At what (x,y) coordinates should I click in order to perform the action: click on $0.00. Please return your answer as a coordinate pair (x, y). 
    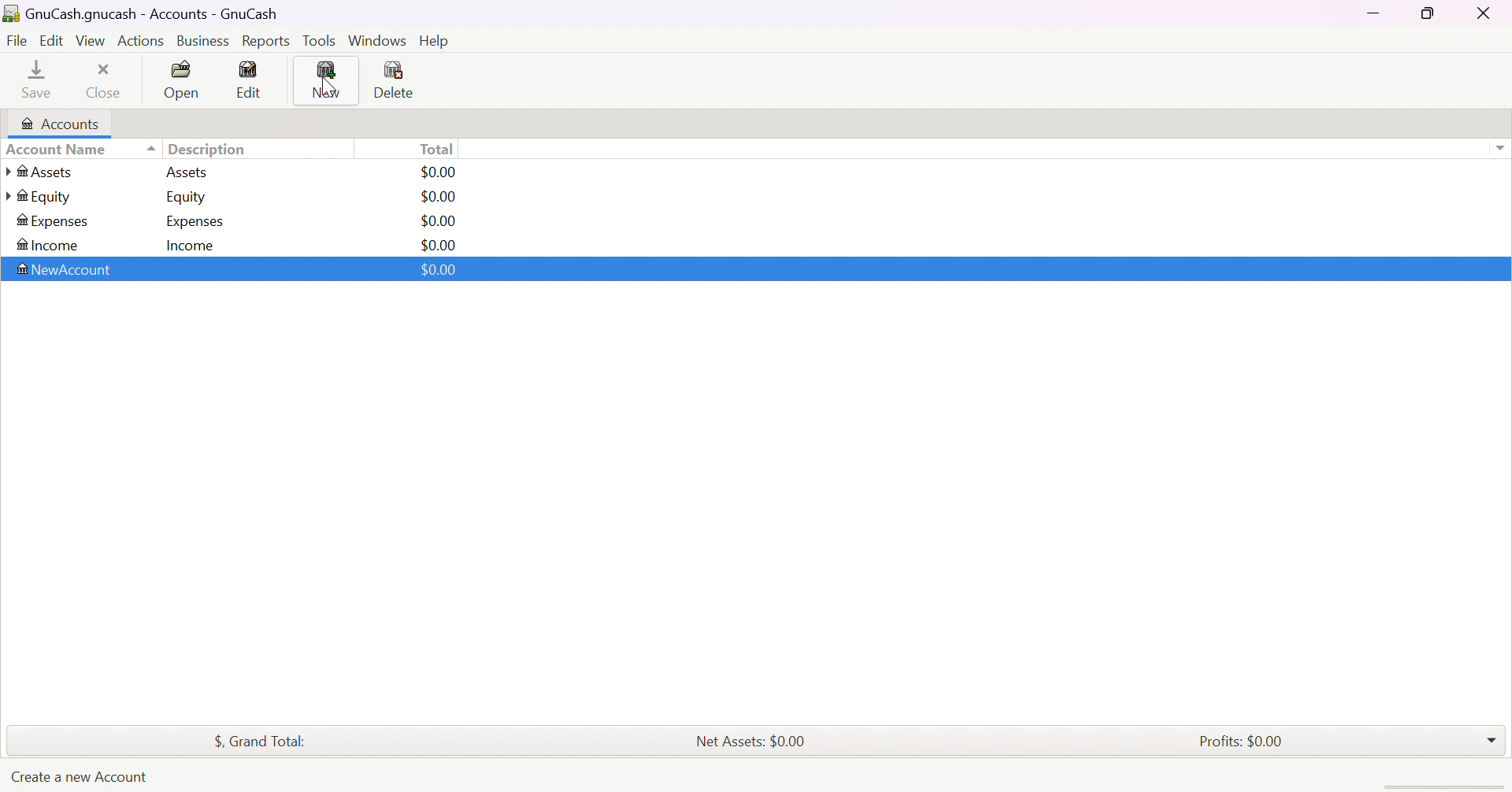
    Looking at the image, I should click on (445, 172).